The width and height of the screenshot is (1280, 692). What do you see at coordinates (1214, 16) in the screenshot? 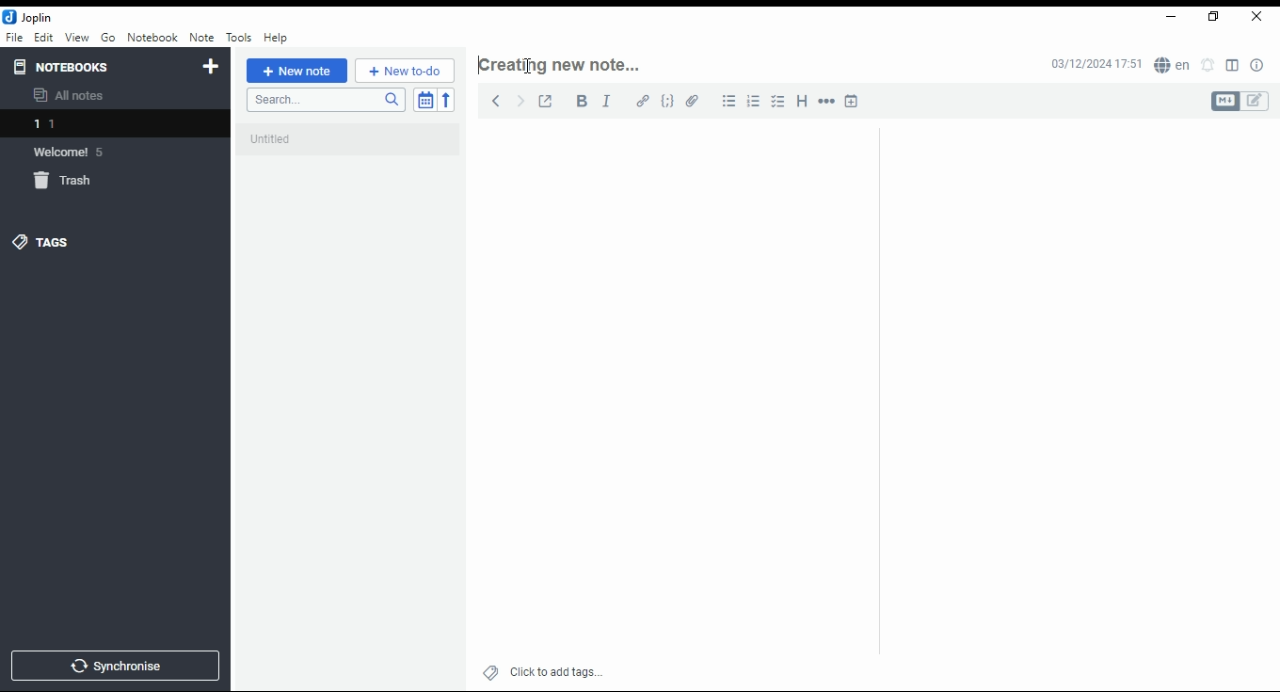
I see `maximize` at bounding box center [1214, 16].